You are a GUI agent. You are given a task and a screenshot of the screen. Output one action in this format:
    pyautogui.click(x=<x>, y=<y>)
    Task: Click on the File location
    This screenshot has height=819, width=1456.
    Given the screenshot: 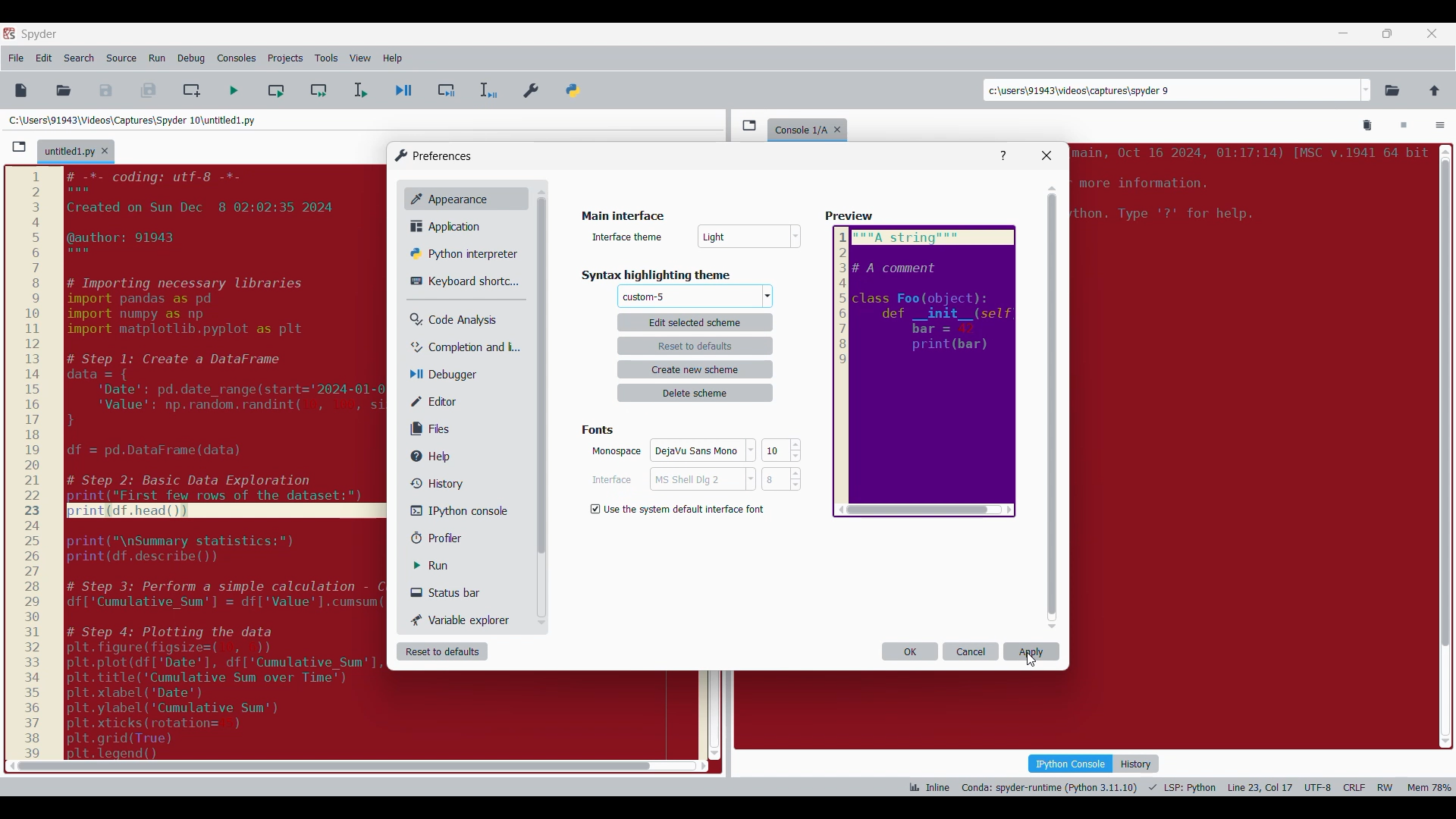 What is the action you would take?
    pyautogui.click(x=132, y=120)
    